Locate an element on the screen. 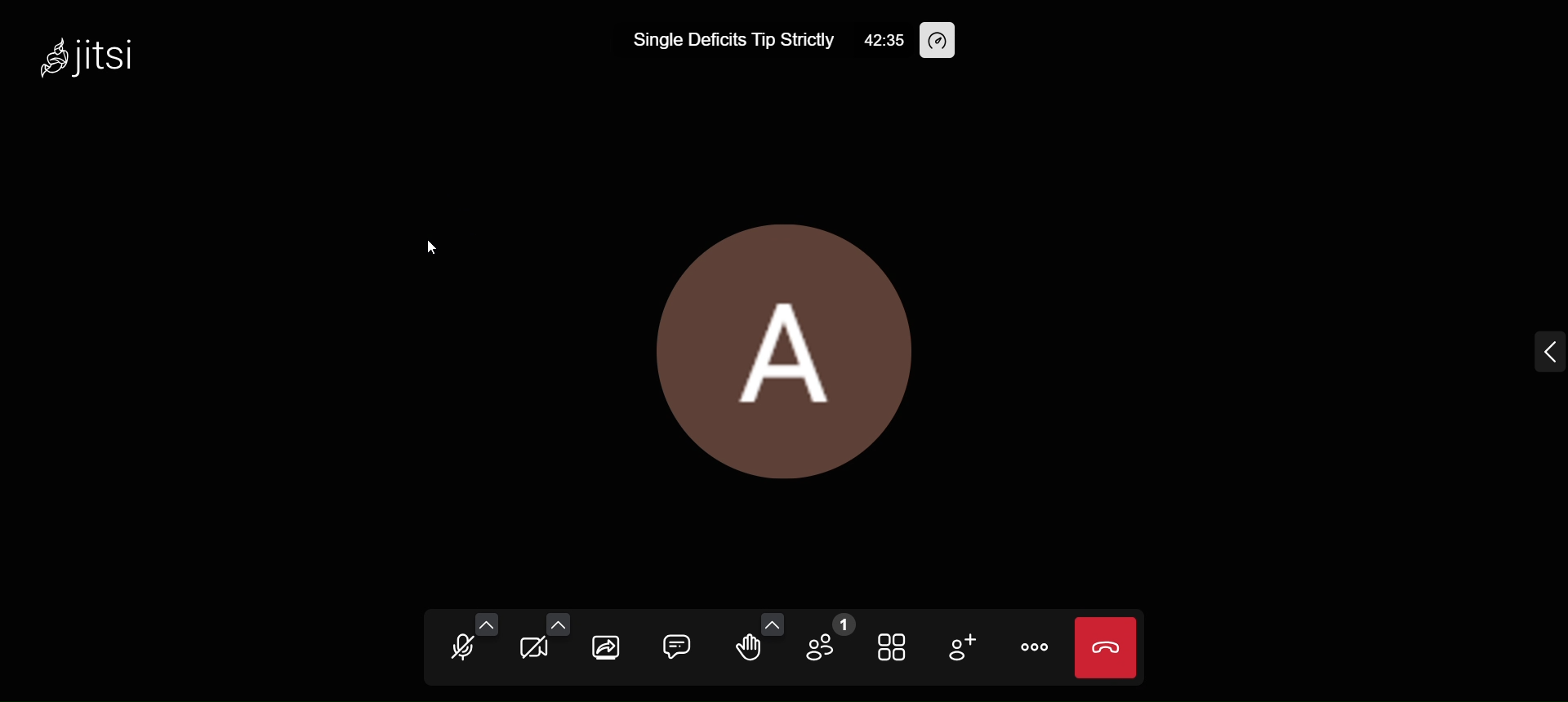  jitsi is located at coordinates (94, 63).